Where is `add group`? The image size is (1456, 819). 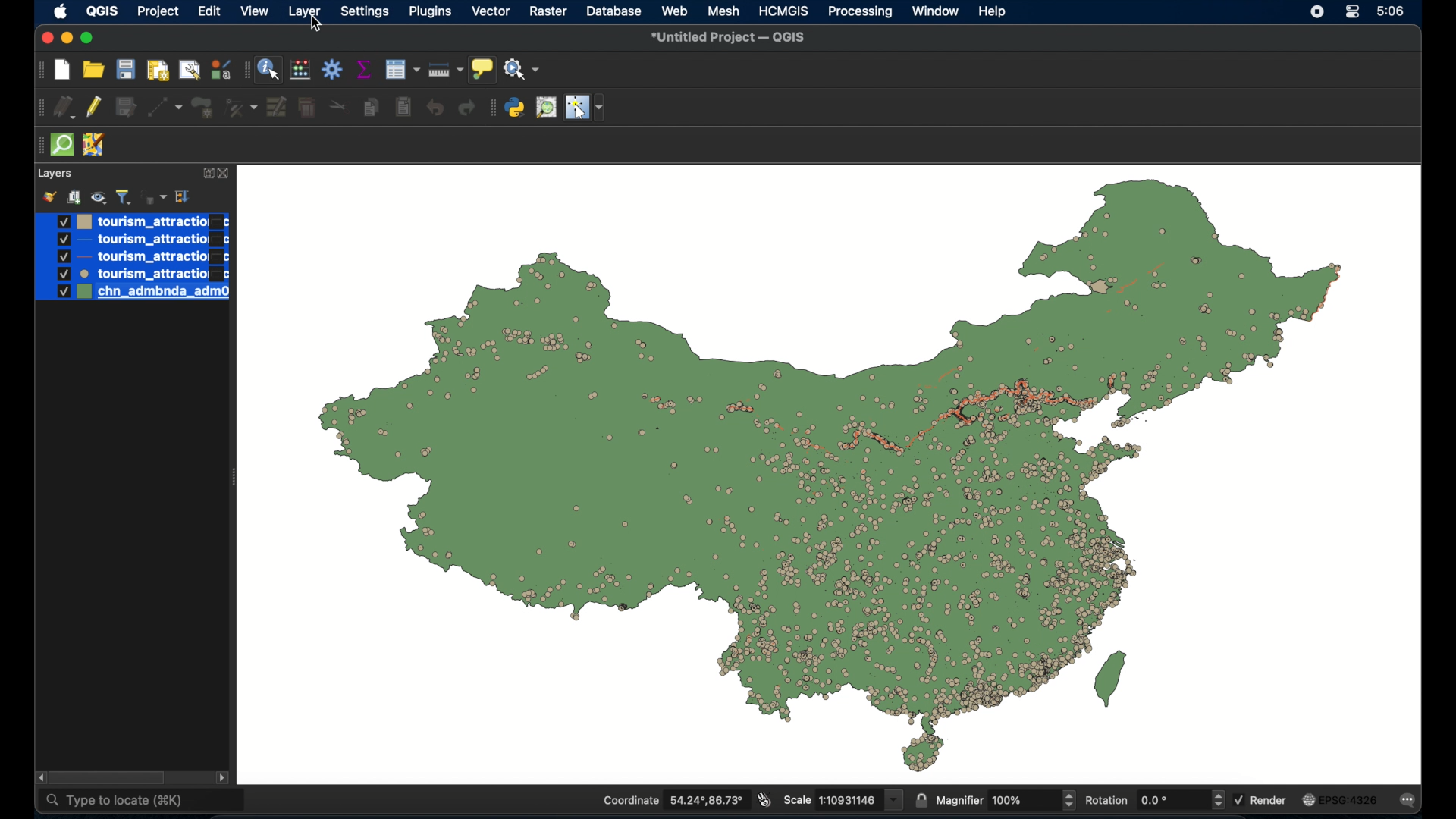 add group is located at coordinates (74, 195).